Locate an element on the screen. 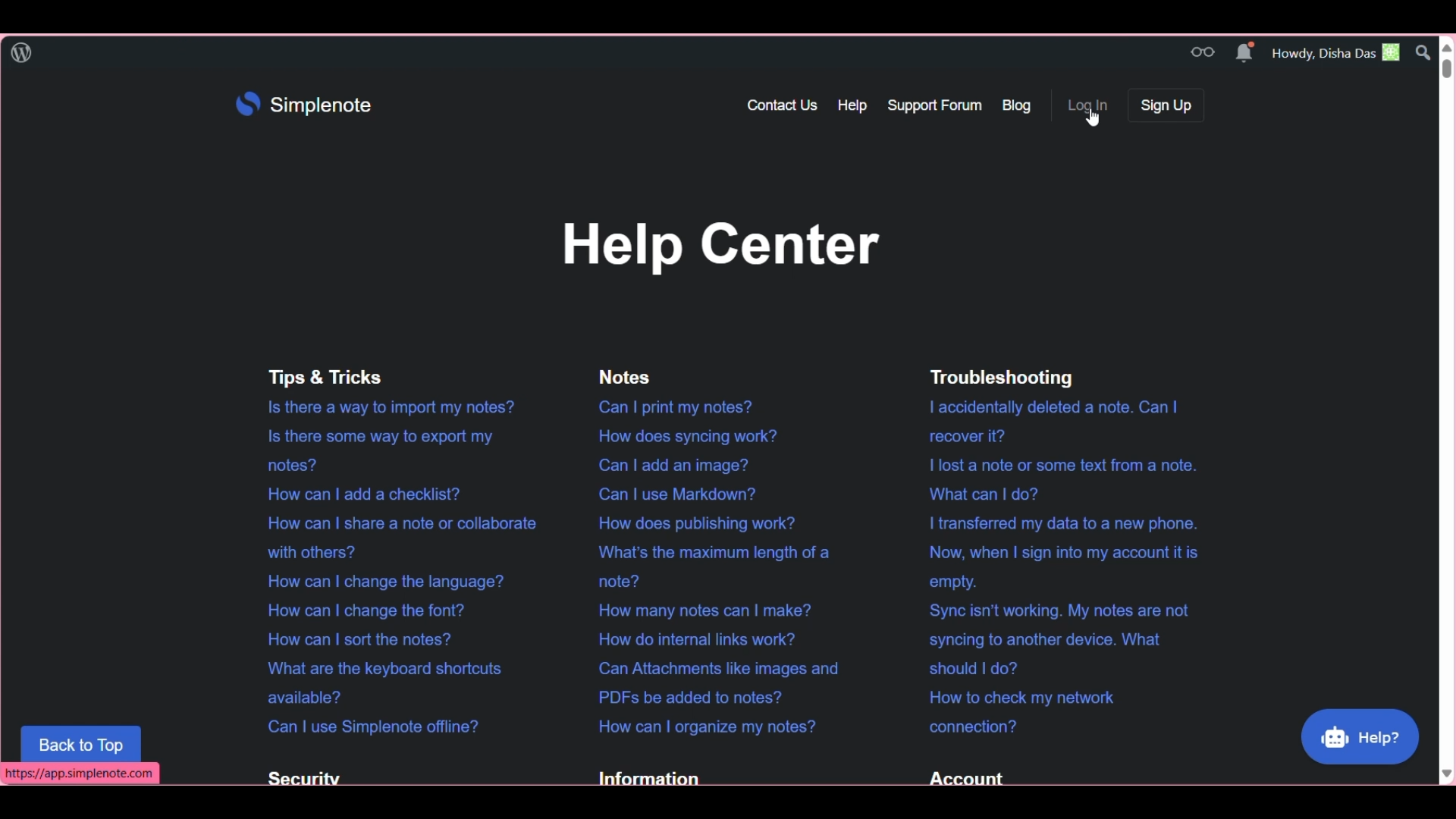 Image resolution: width=1456 pixels, height=819 pixels. Sync isn’t working. My notes are not syncing to another device. What should | do? is located at coordinates (1056, 639).